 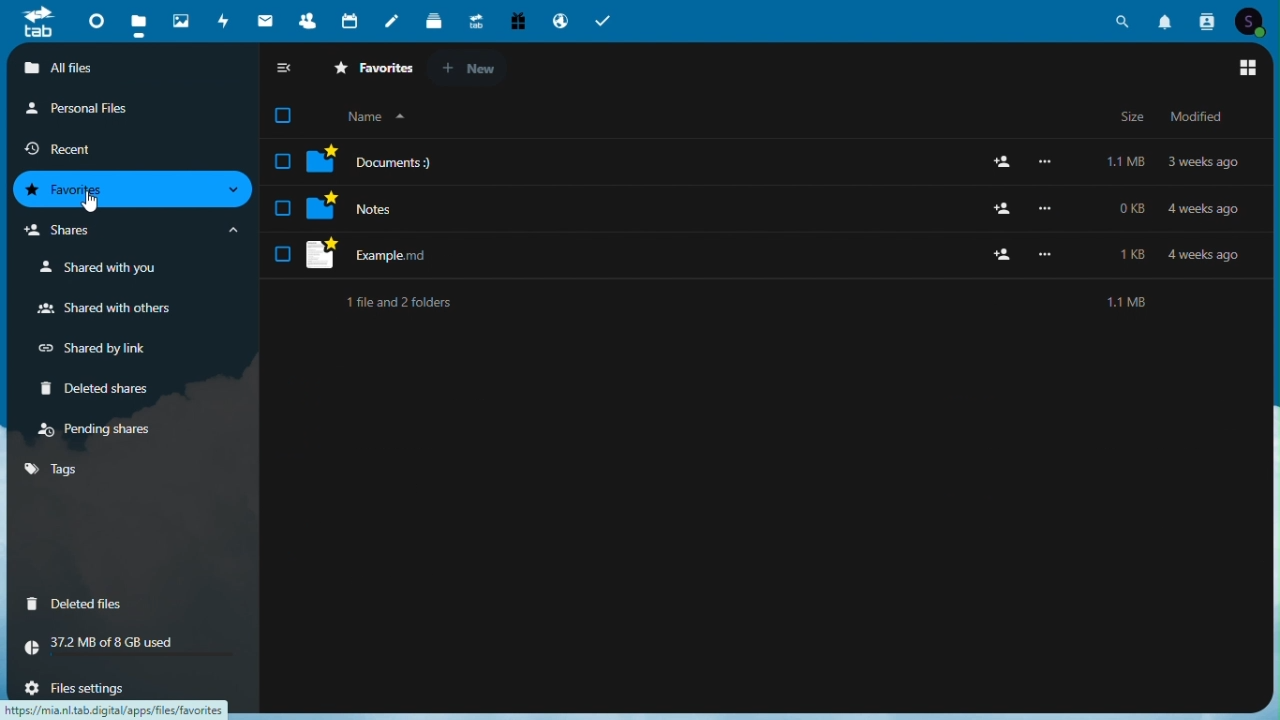 I want to click on Deleted share, so click(x=96, y=388).